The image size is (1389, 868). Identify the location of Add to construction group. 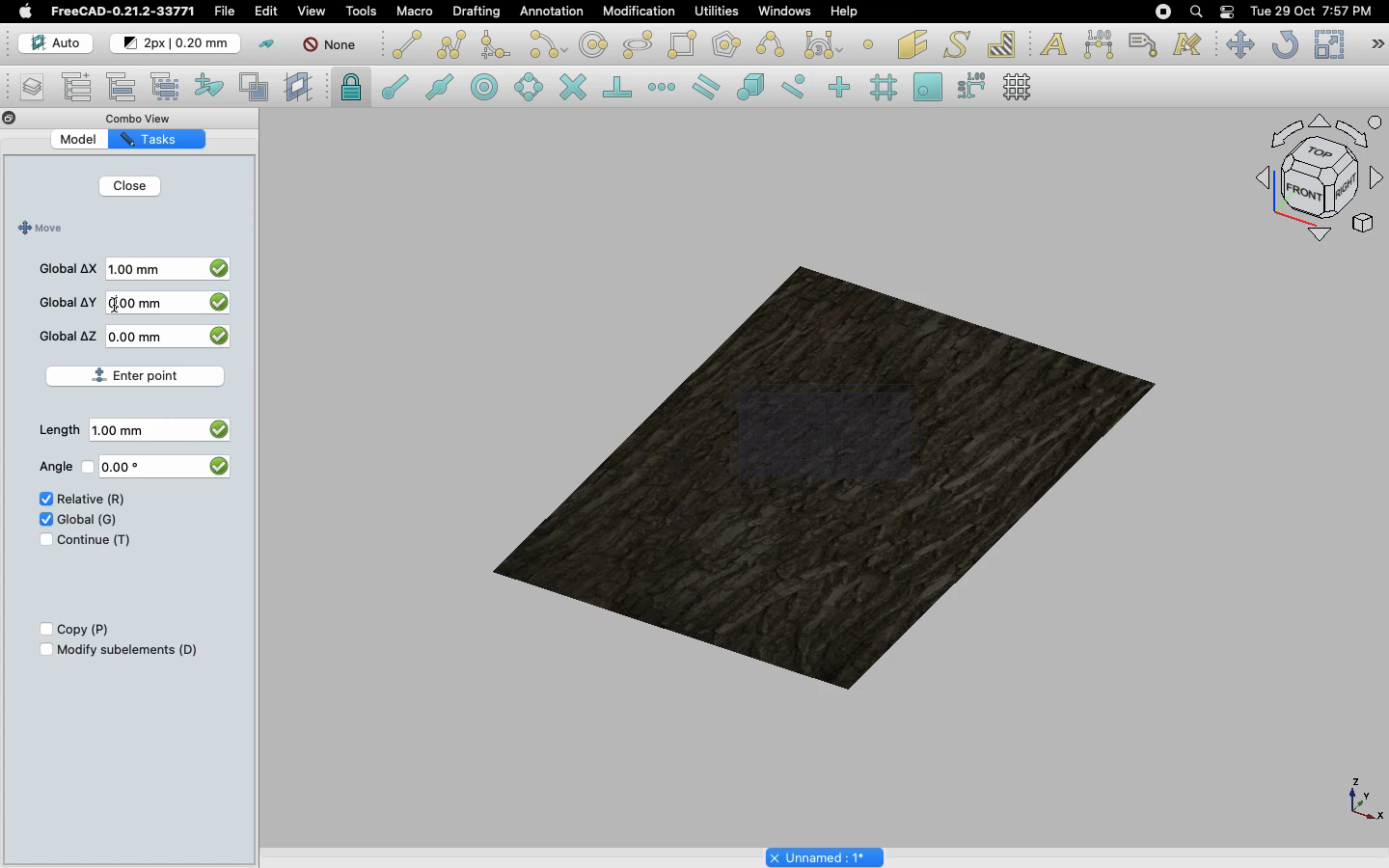
(210, 84).